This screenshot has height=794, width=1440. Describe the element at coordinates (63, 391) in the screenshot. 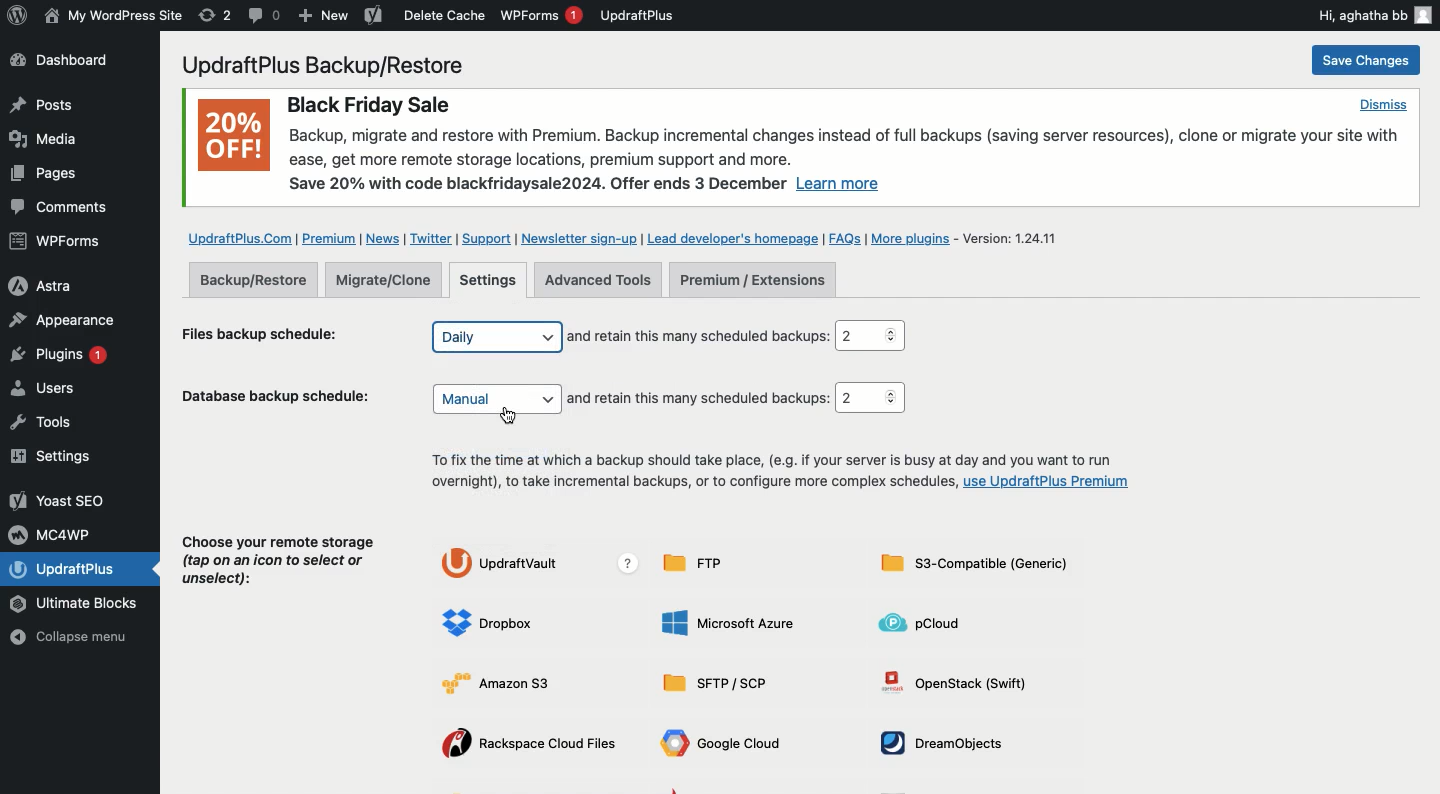

I see `Users` at that location.